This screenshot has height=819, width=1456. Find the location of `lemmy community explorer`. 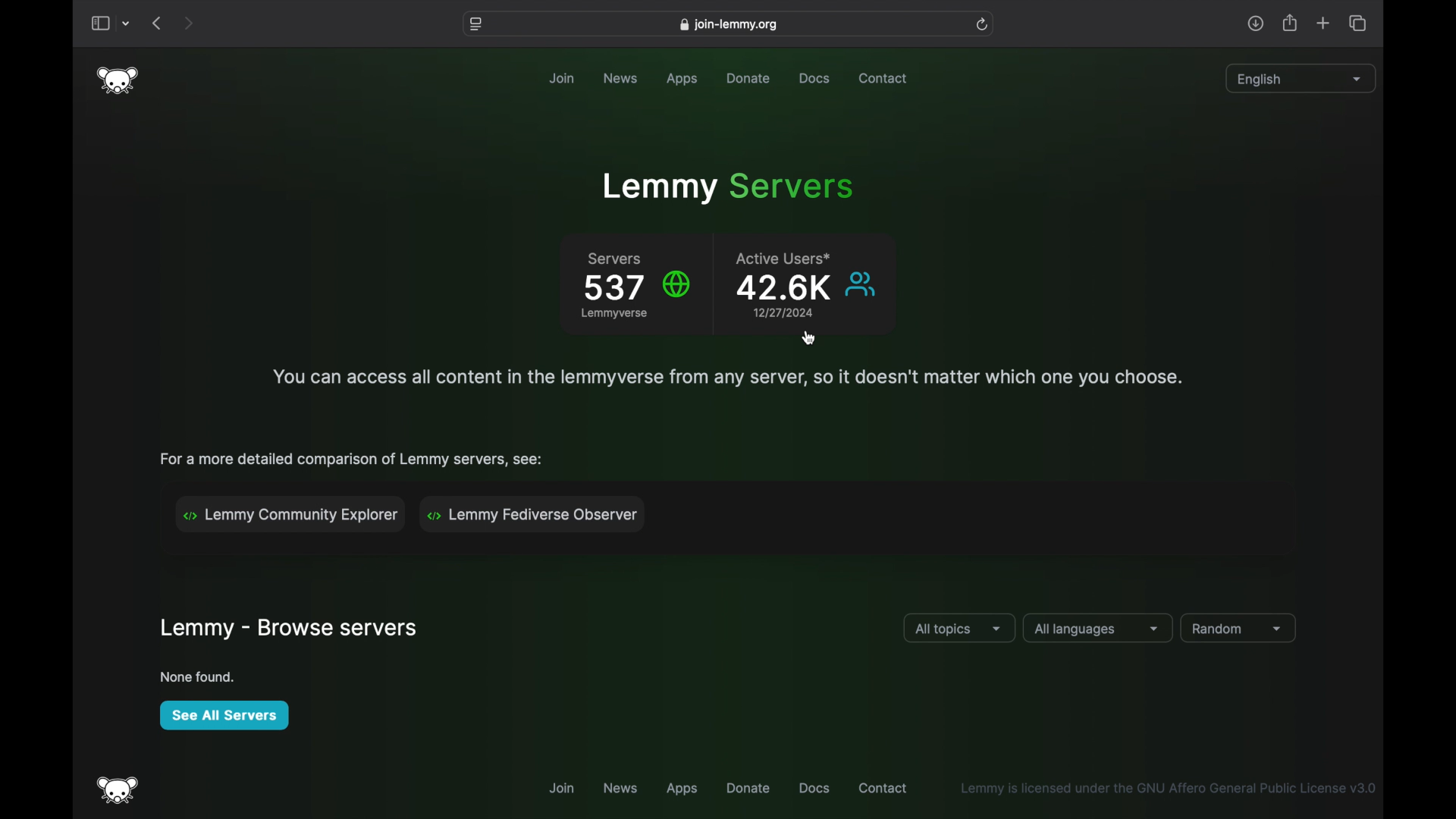

lemmy community explorer is located at coordinates (290, 514).